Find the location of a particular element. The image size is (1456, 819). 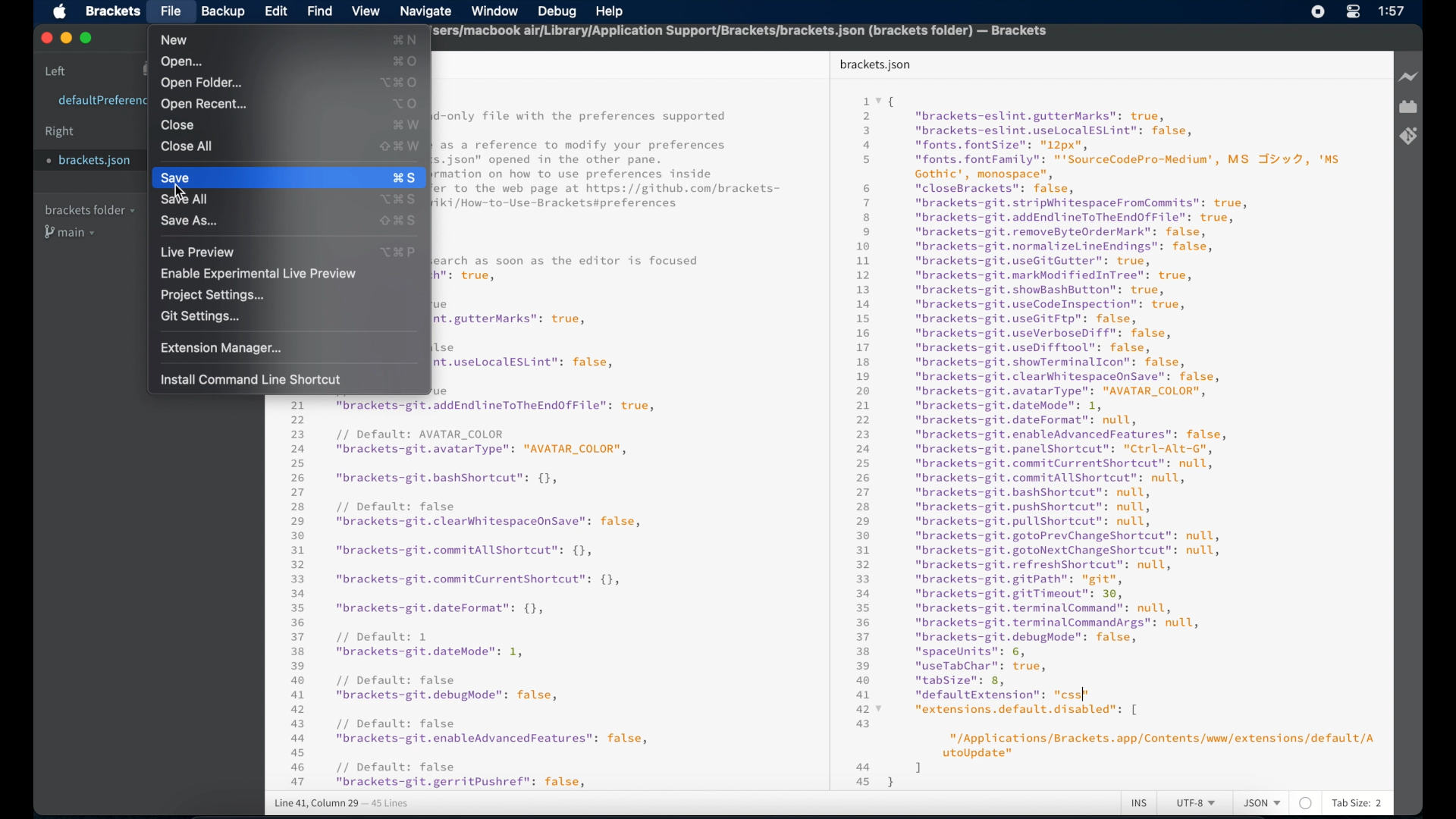

1 x{ 2 "brackets-eslint.gutterMarks": true,5 "brackets-eslint.useLocalESLint": false,a "fonts. fontSize": "12px",5 "fonts. fontFamily": "'SourceCodePro-Medium', MS Iv 7, 'MsGothic', monospace”,6 "closeBrackets": false,7 "brackets-git.stripWhitespaceFromCommits": true,8 "brackets-git.addEndlineToTheEndOfFile": true,9 "brackets-git.removeByteOrderMark": false,10 "brackets-git.normalizeLineEndings": false,1 "brackets-git.useGitGutter": true,12 "brackets-git.markModifiedInTree": true,13 "brackets-git.showBashButton": true,14 "brackets-git.useCodeInspection": true,15 "brackets-git.useGitFtp": false,16 "brackets-git.useVerboseDiff": false,17 "brackets-git.useDifftool": false,18 "brackets-git.showTerminalIcon": false,19 "brackets-git.clearWhitespaceOnsave": false,20 "brackets-git.avatarType": "AVATAR_COLOR",21 "brackets-git.dateMode": 1,22 "brackets-git.dateFormat": null,23 "brackets-git.enableAdvancedFeatures": false,24 "brackets-git.panelShortcut": "Ctrl-Alt-G",25 "brackets-git.commitCurrentShortcut": null,26 "brackets-git.commitAllShortcut": null,27 "brackets-git.bashshortcut": null,28 "brackets-git.pushshortcut": null,29 "brackets-git.pullShortcut": null,30 "brackets-git.gotoPrevChangeShortcut": null,31 "brackets-git.gotoNextChangeShortcut": null,32 "brackets-git.refreshShortcut": null,33 "brackets-git.gitPath": "git",34 "brackets-git.gitTimeout": 30,35 "brackets-git.terminalCommand": null,36 "brackets-git.terminalCommandArgs": null,37 "brackets-git.debugMode": false,38 "spaceUnits": 6,39 "useTabChar": true,40 "tabSize": 8,a1 "defaultExtension": "css"427 “extensions.default.disabled": [43"/Applications/Brackets.app/Contents/www/extensions/default/AutoUpdate"44 145 } is located at coordinates (1116, 438).